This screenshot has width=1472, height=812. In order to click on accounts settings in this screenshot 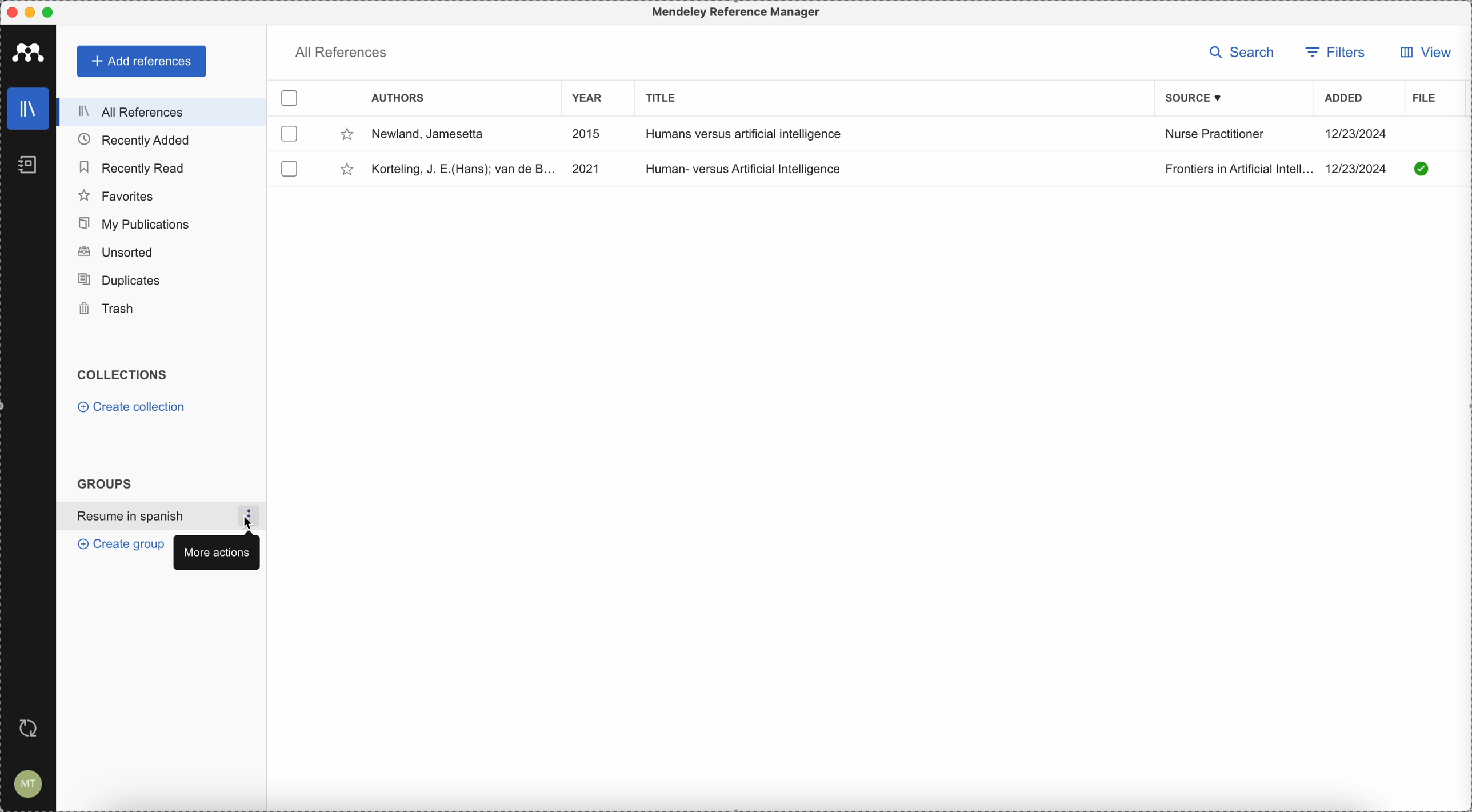, I will do `click(30, 783)`.